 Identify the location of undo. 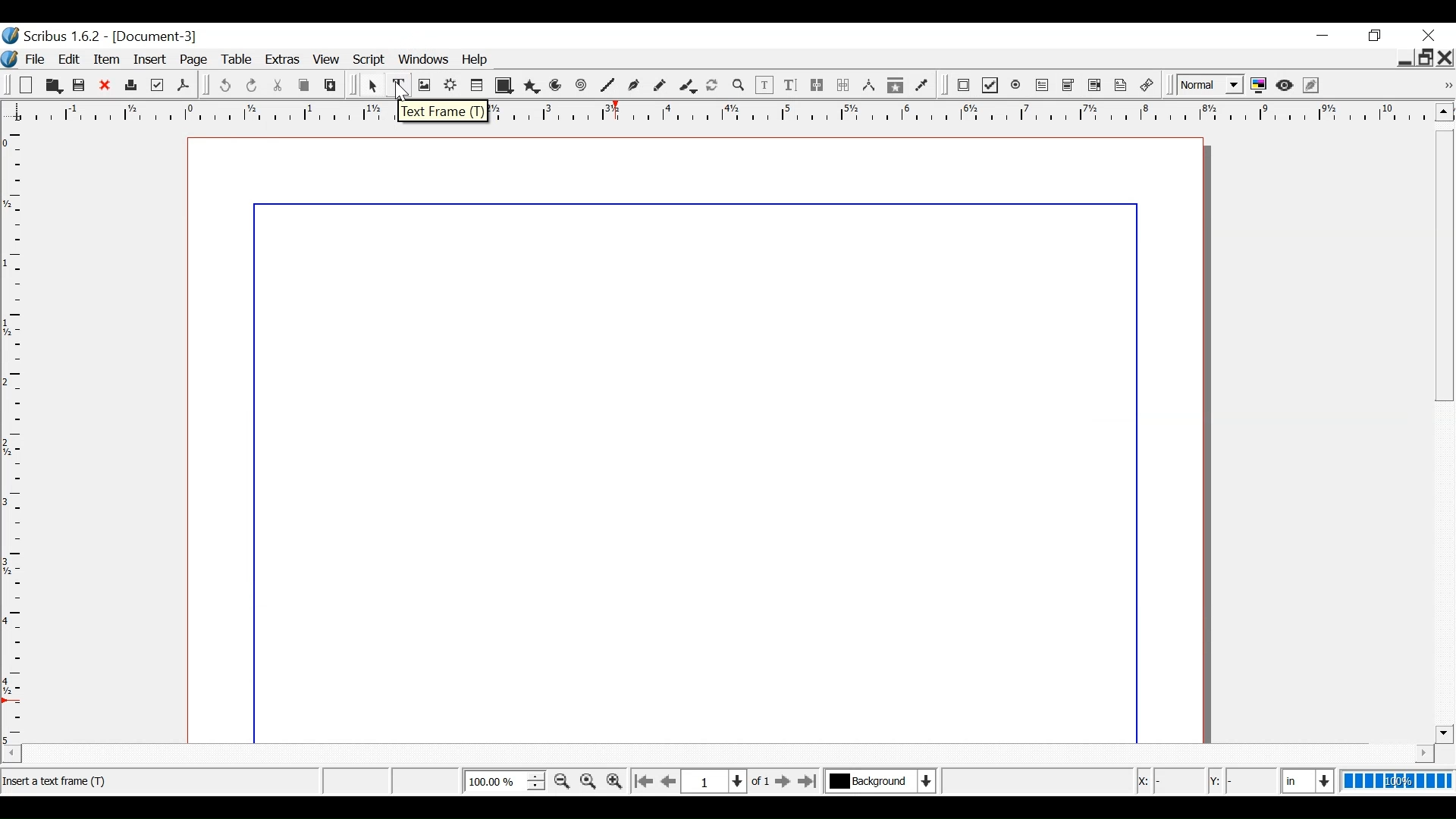
(224, 83).